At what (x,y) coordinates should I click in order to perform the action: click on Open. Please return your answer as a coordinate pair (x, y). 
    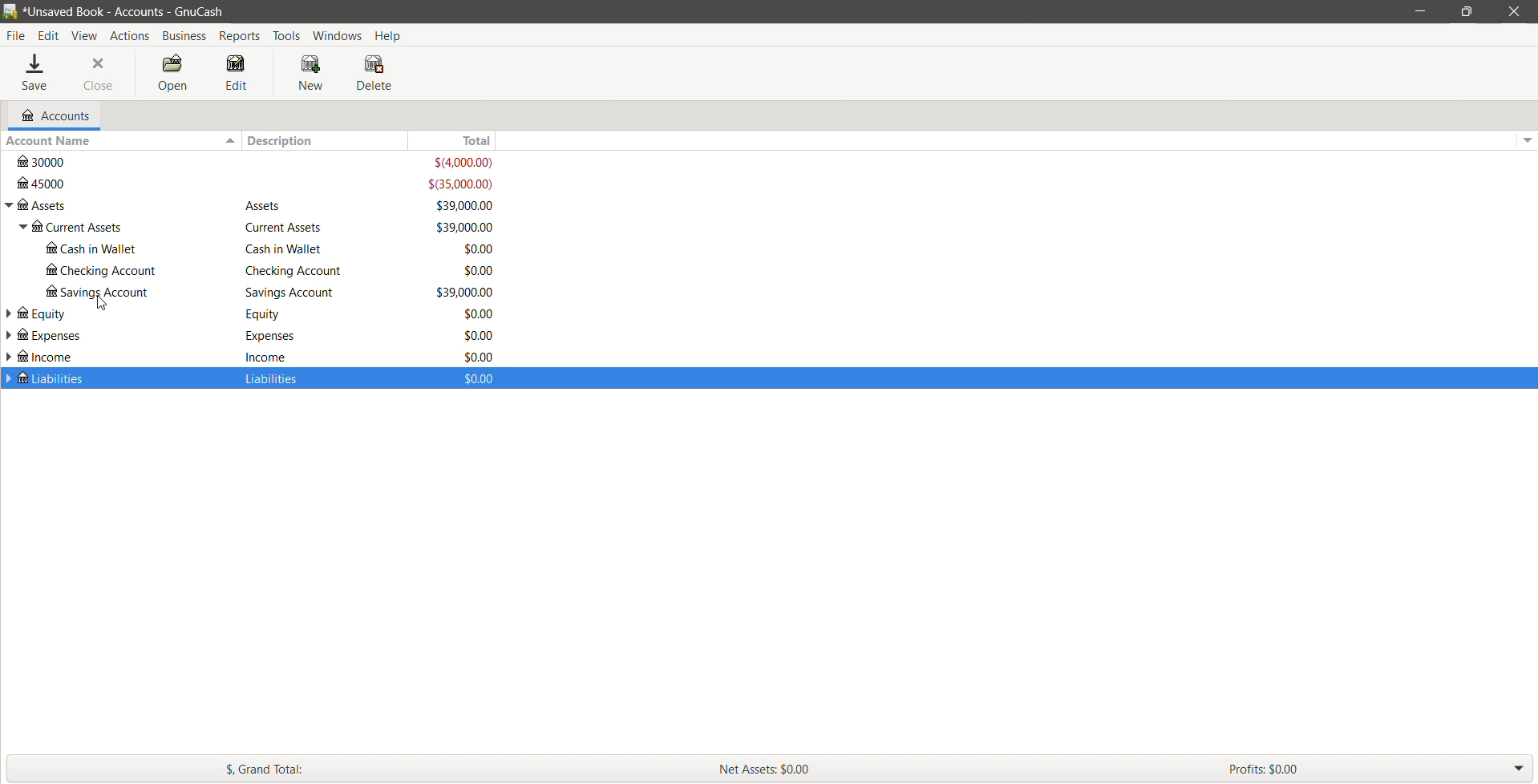
    Looking at the image, I should click on (175, 73).